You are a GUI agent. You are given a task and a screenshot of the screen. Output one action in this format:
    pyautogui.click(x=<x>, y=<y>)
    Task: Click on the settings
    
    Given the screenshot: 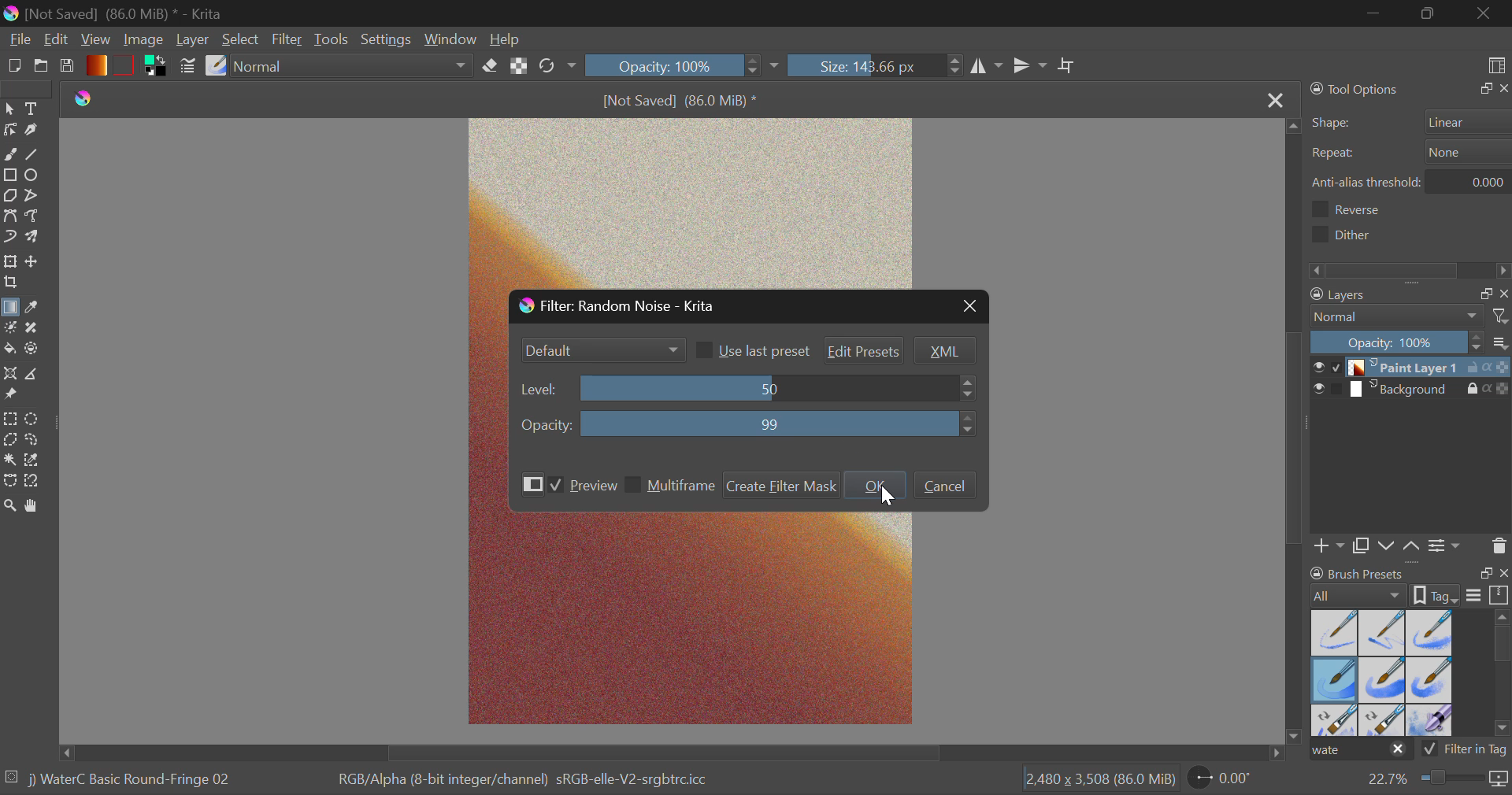 What is the action you would take?
    pyautogui.click(x=1447, y=544)
    